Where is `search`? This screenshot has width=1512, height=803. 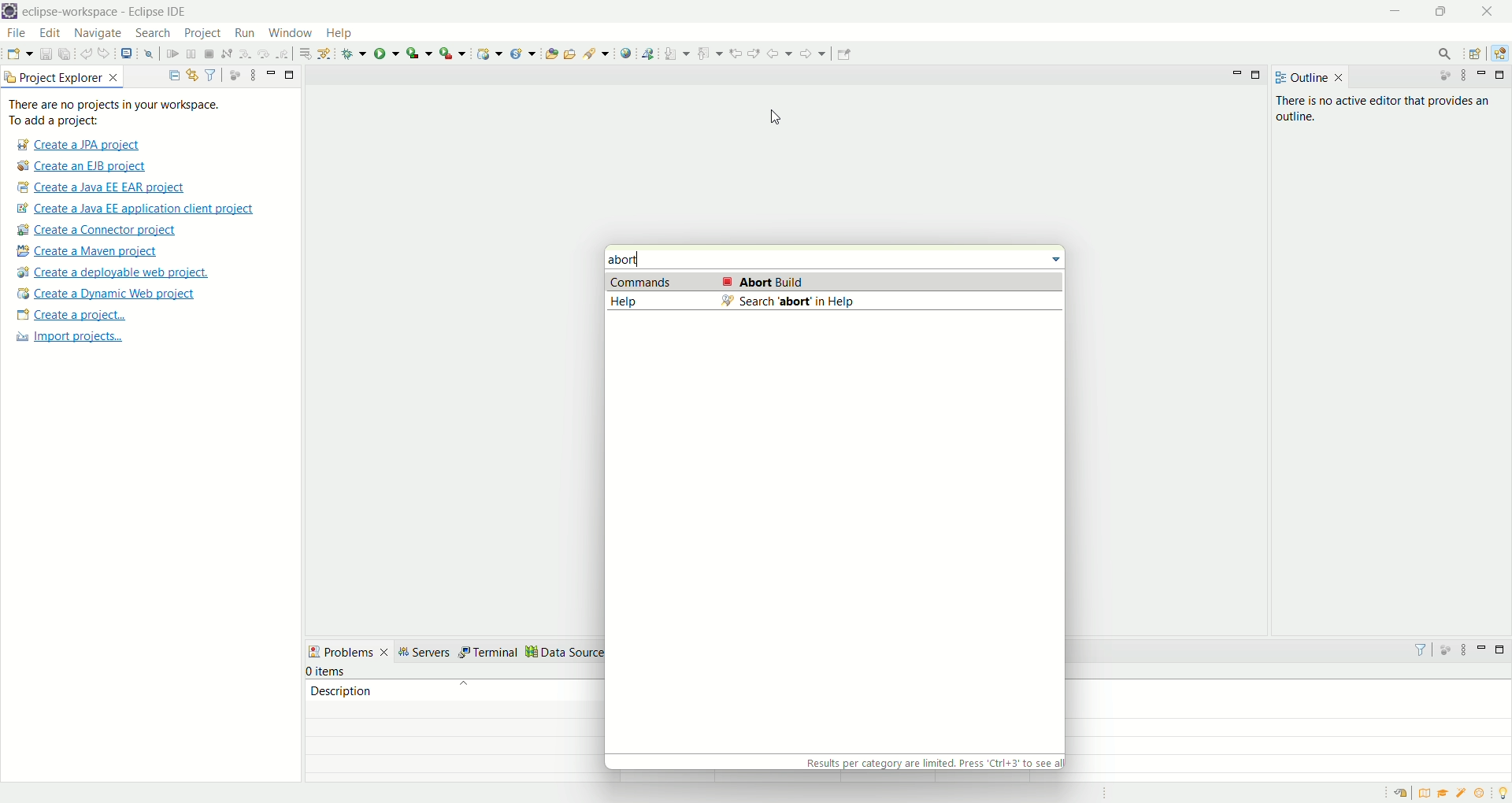
search is located at coordinates (596, 55).